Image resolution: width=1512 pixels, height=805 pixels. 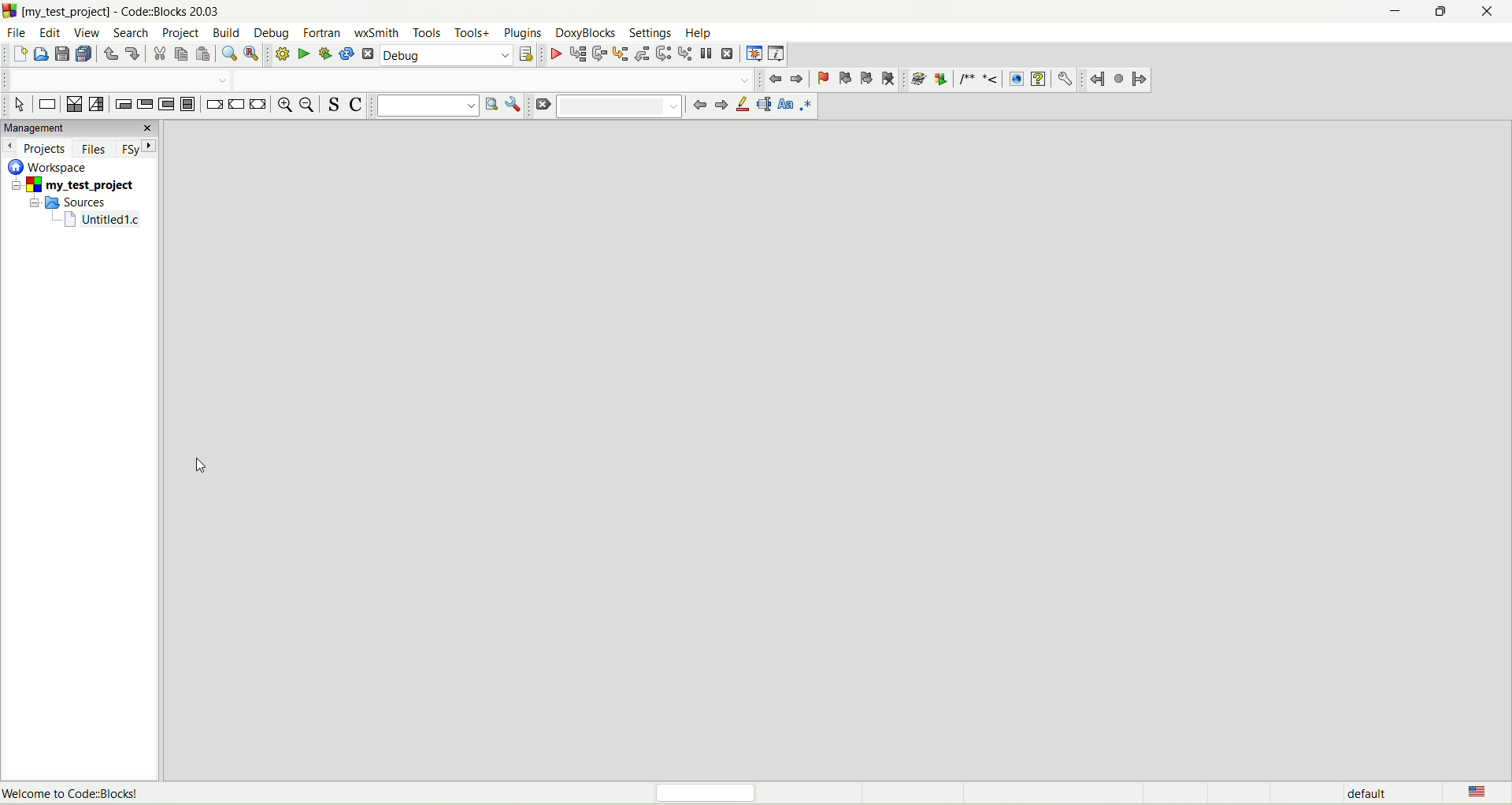 What do you see at coordinates (699, 33) in the screenshot?
I see `help` at bounding box center [699, 33].